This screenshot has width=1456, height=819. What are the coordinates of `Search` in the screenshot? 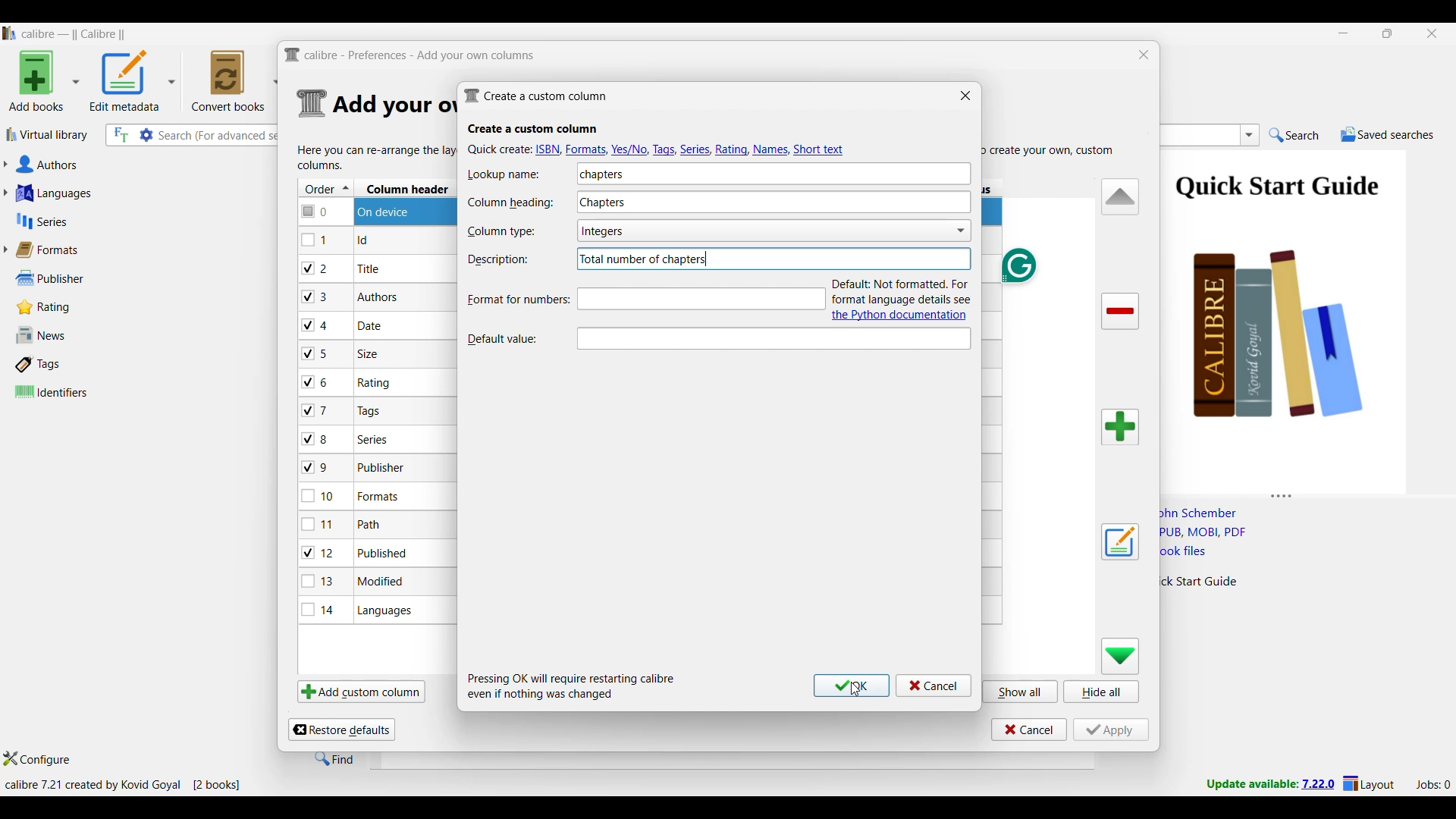 It's located at (1294, 136).